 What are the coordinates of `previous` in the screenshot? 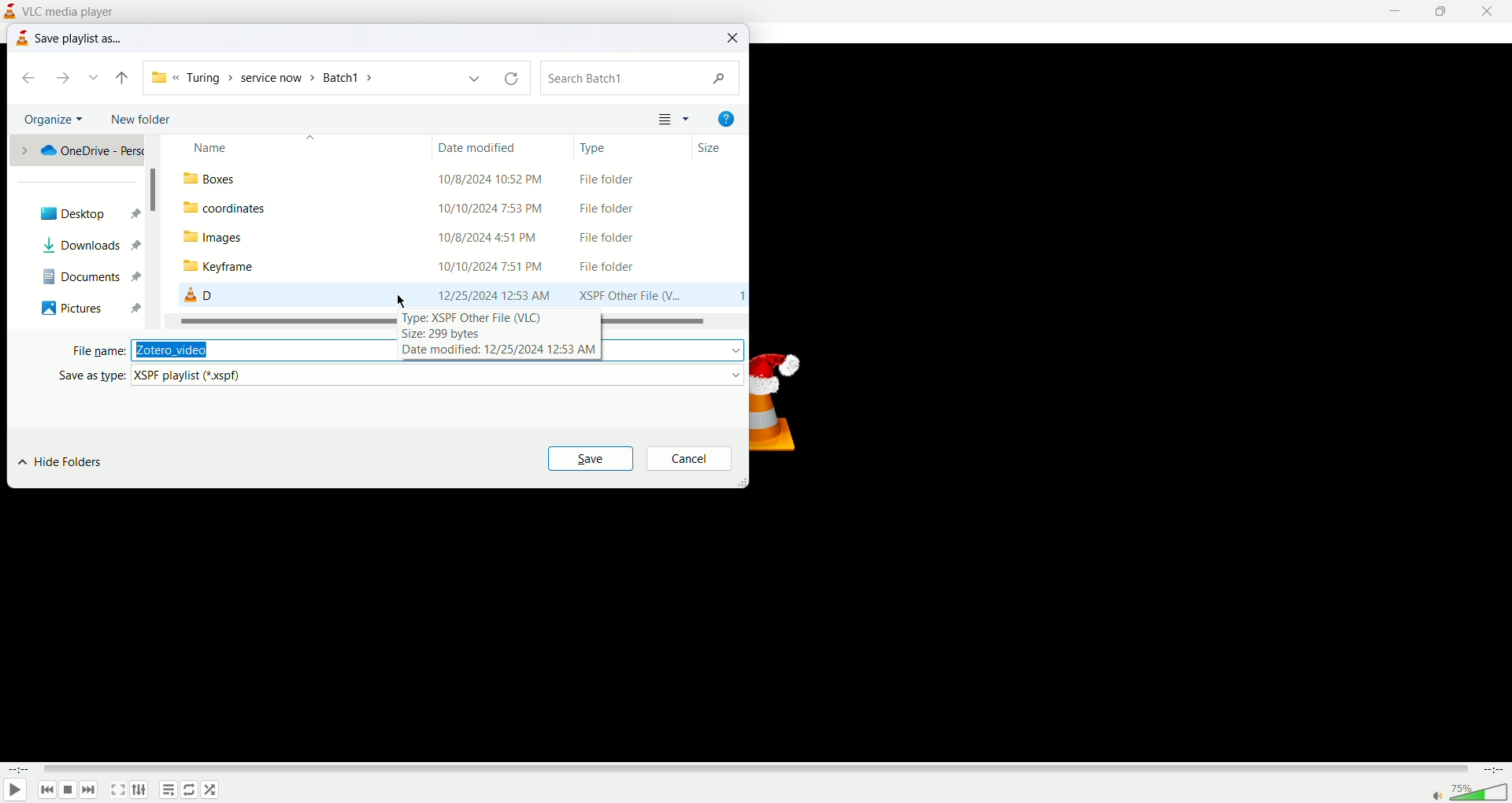 It's located at (46, 790).